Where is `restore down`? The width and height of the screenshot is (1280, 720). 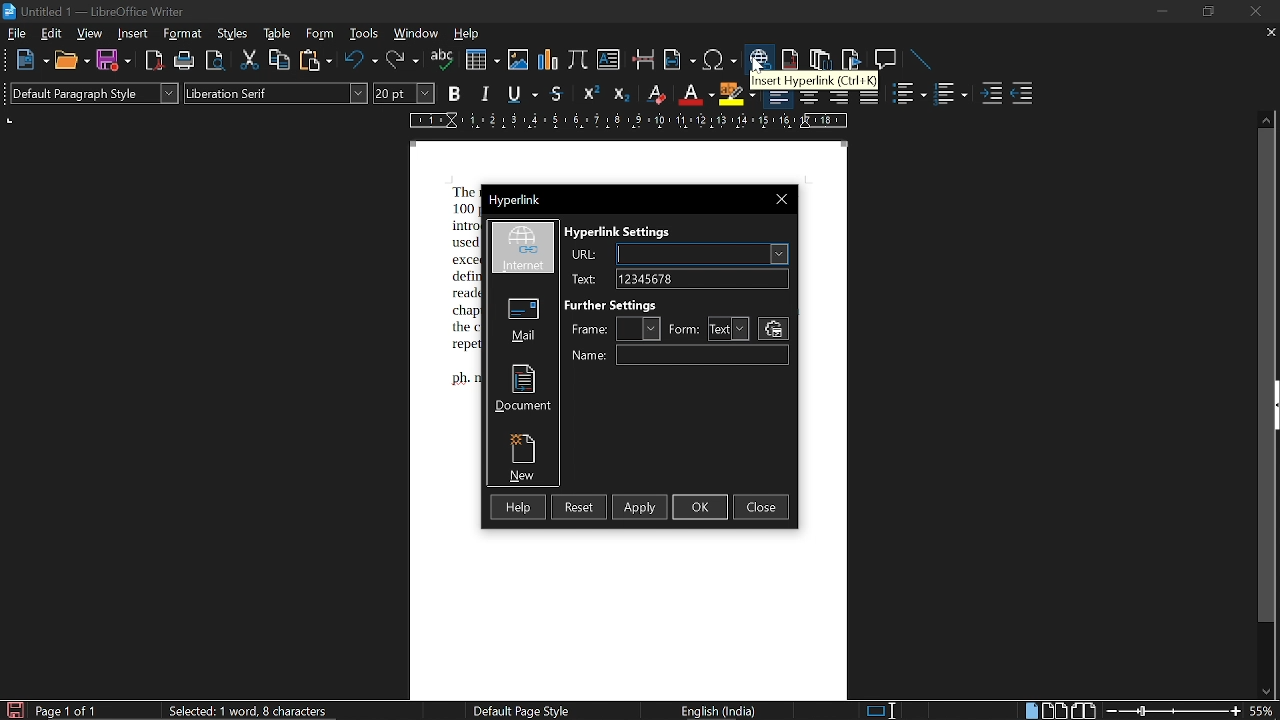
restore down is located at coordinates (1207, 12).